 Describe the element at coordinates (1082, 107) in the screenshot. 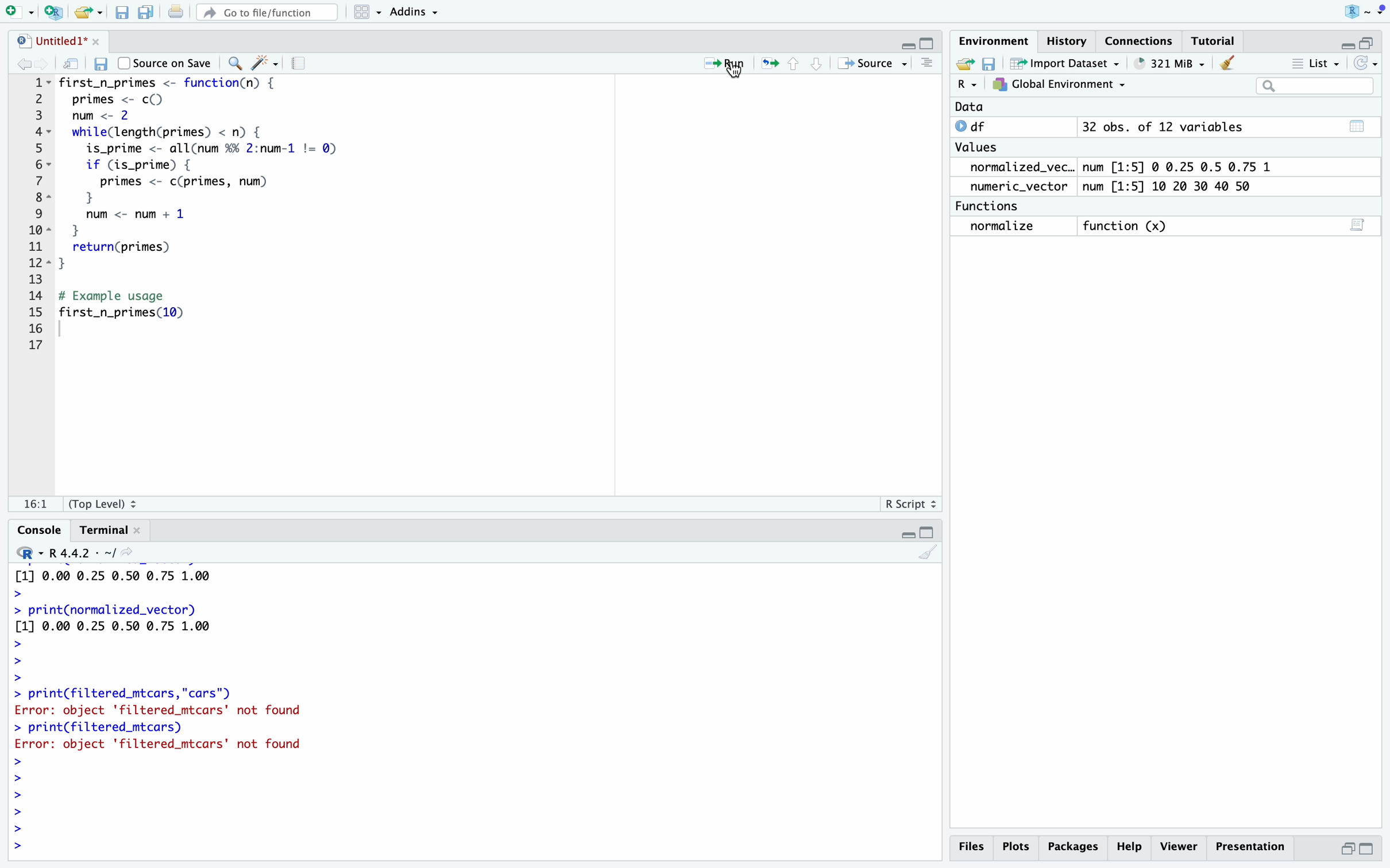

I see `Data` at that location.